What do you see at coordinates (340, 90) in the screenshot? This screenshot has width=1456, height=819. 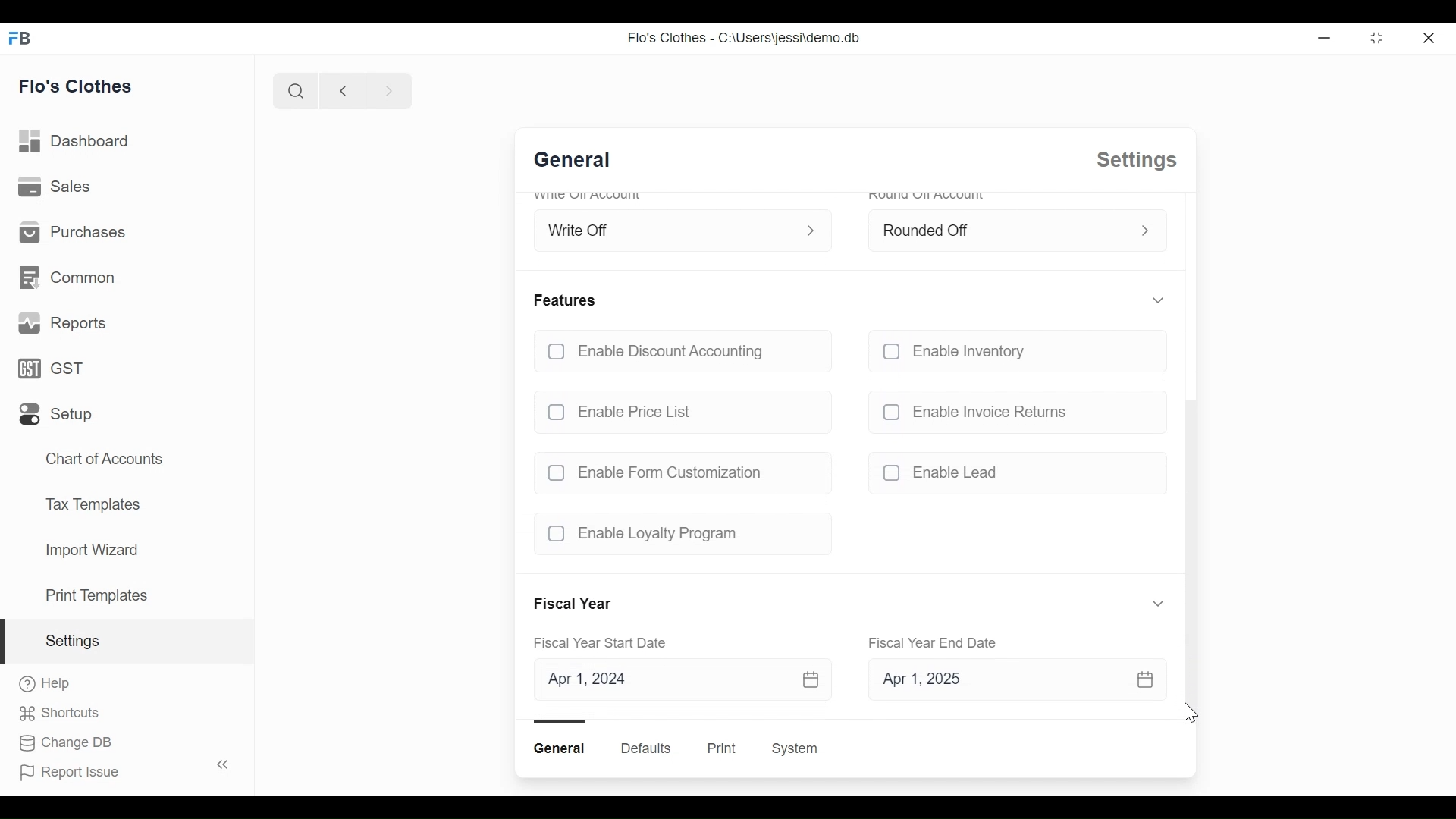 I see `Navigate back` at bounding box center [340, 90].